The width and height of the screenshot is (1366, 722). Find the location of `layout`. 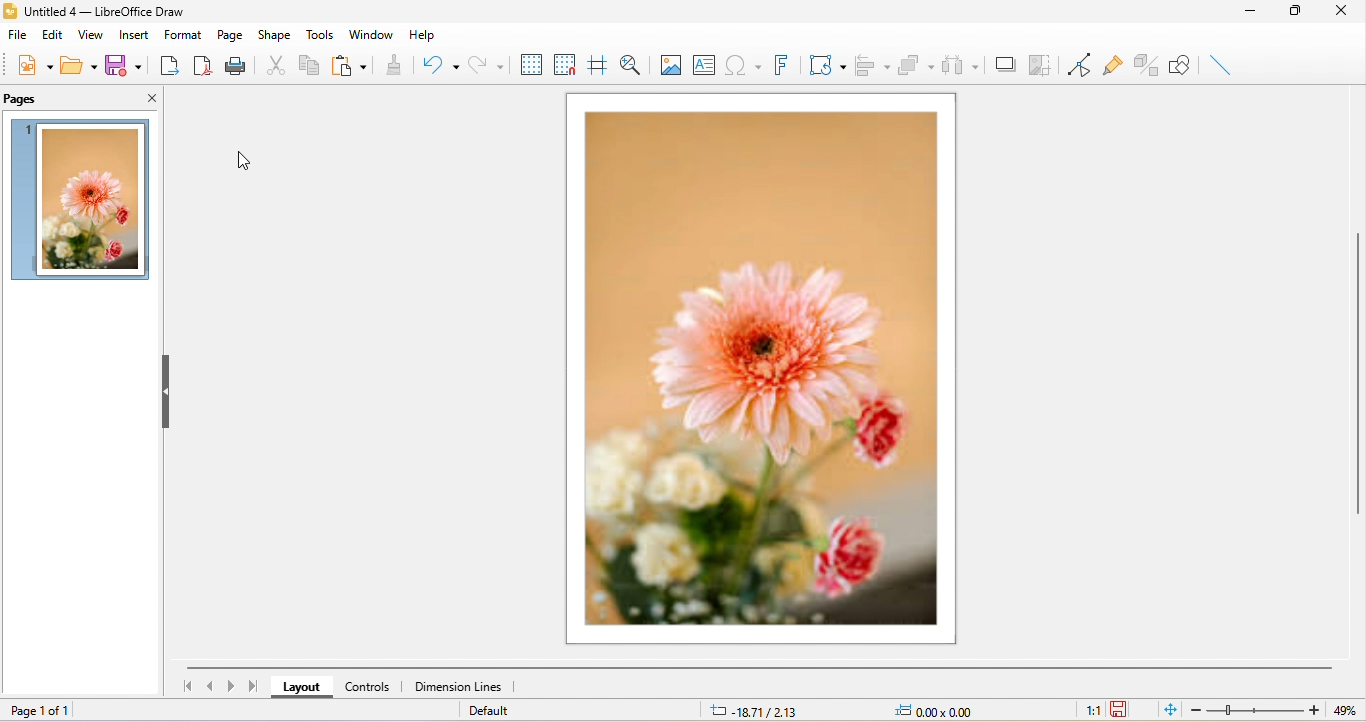

layout is located at coordinates (298, 688).